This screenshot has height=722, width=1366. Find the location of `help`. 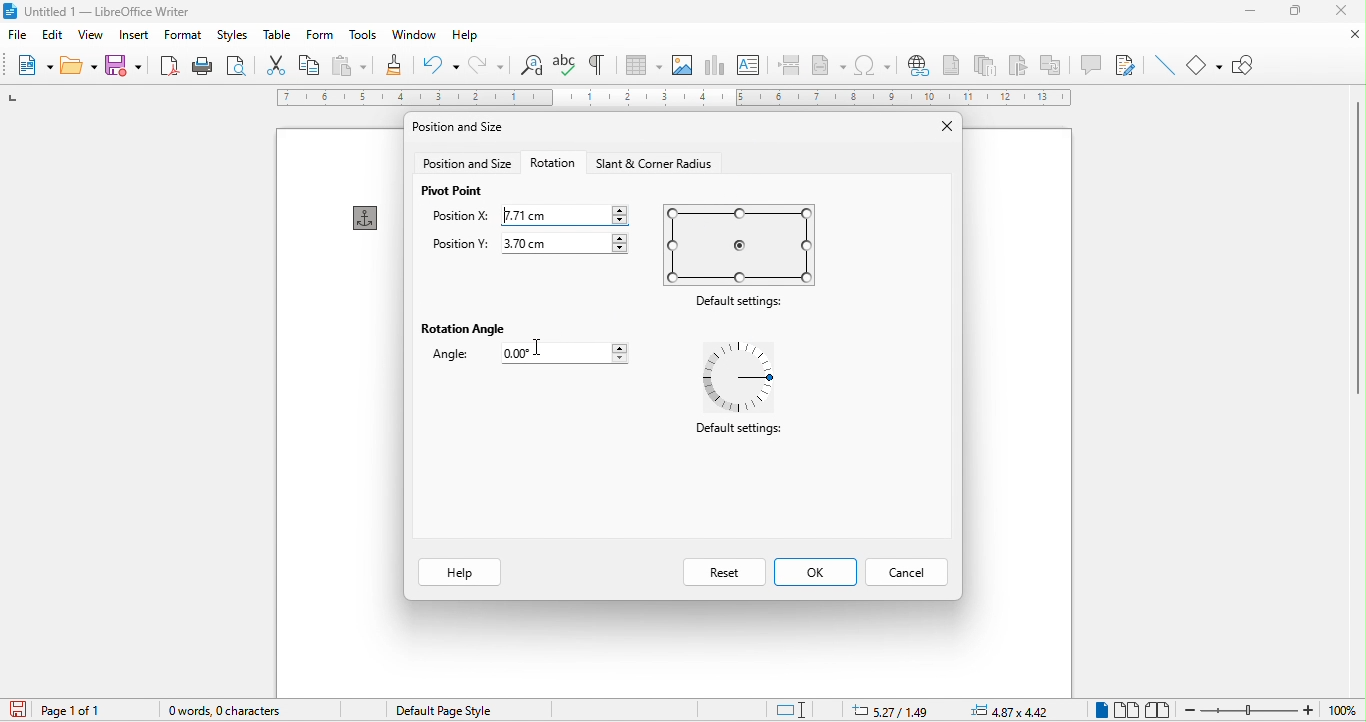

help is located at coordinates (461, 573).